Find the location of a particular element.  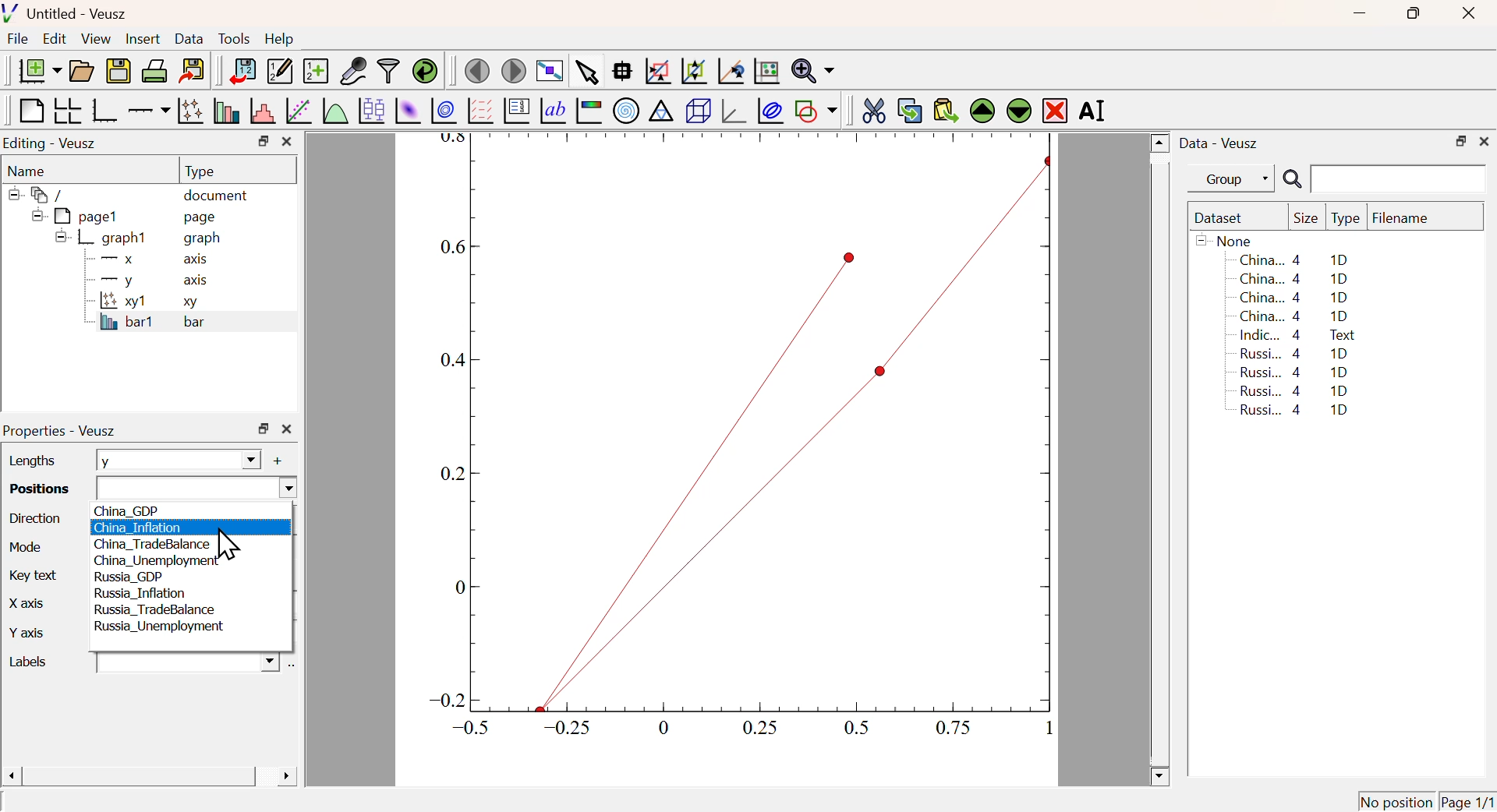

Russia_Unemployment is located at coordinates (162, 627).